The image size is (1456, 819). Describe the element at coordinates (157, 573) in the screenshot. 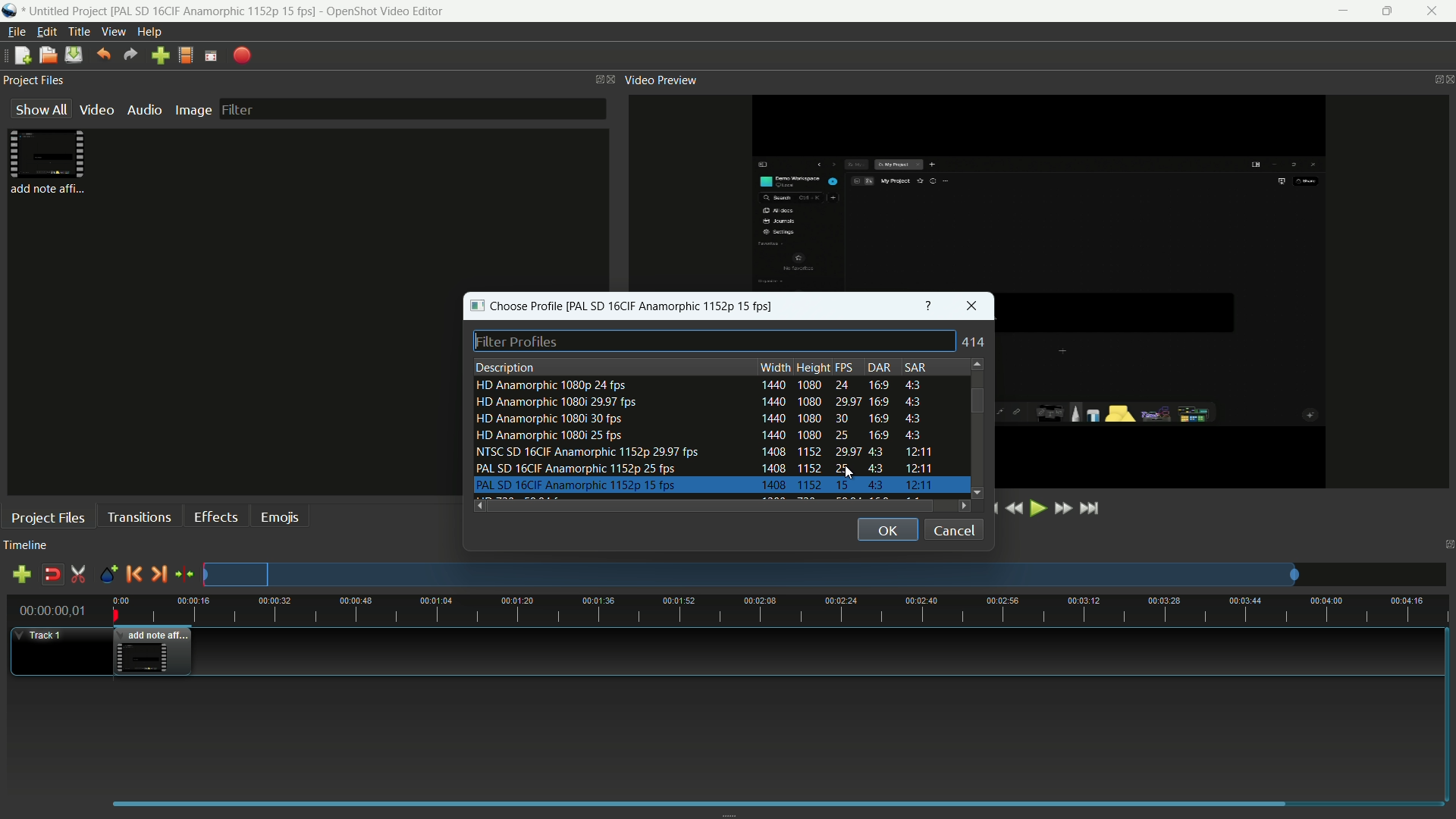

I see `next marker` at that location.